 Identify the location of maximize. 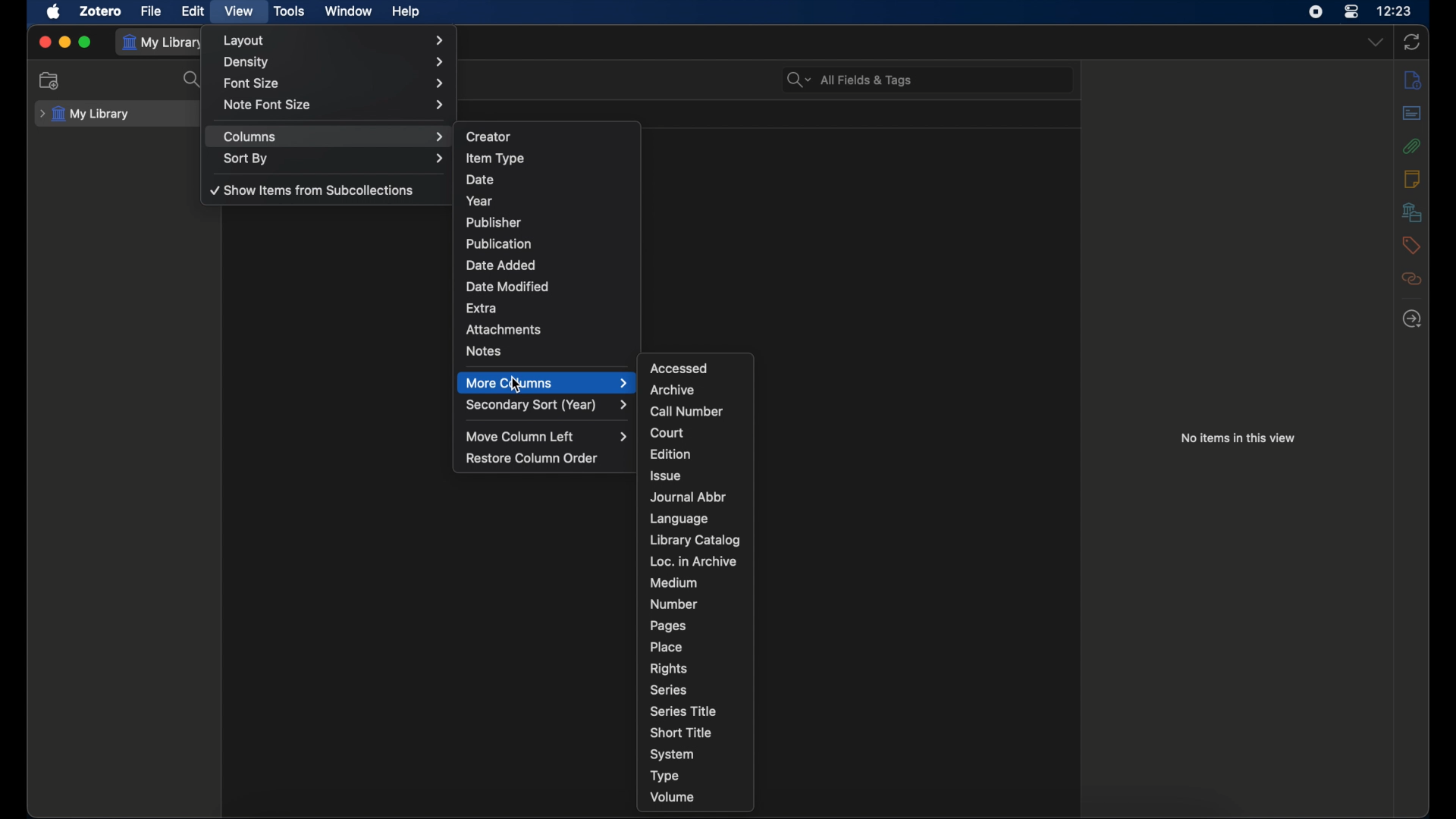
(86, 42).